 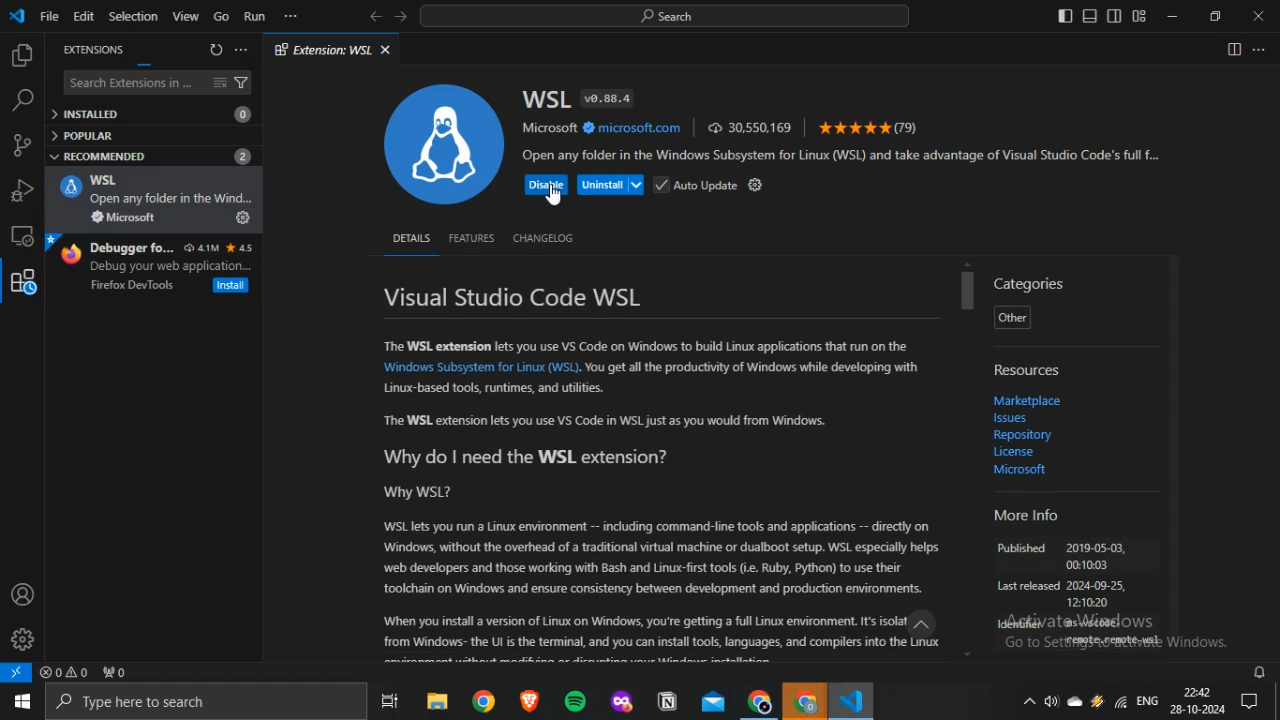 What do you see at coordinates (123, 217) in the screenshot?
I see `Microsoft` at bounding box center [123, 217].